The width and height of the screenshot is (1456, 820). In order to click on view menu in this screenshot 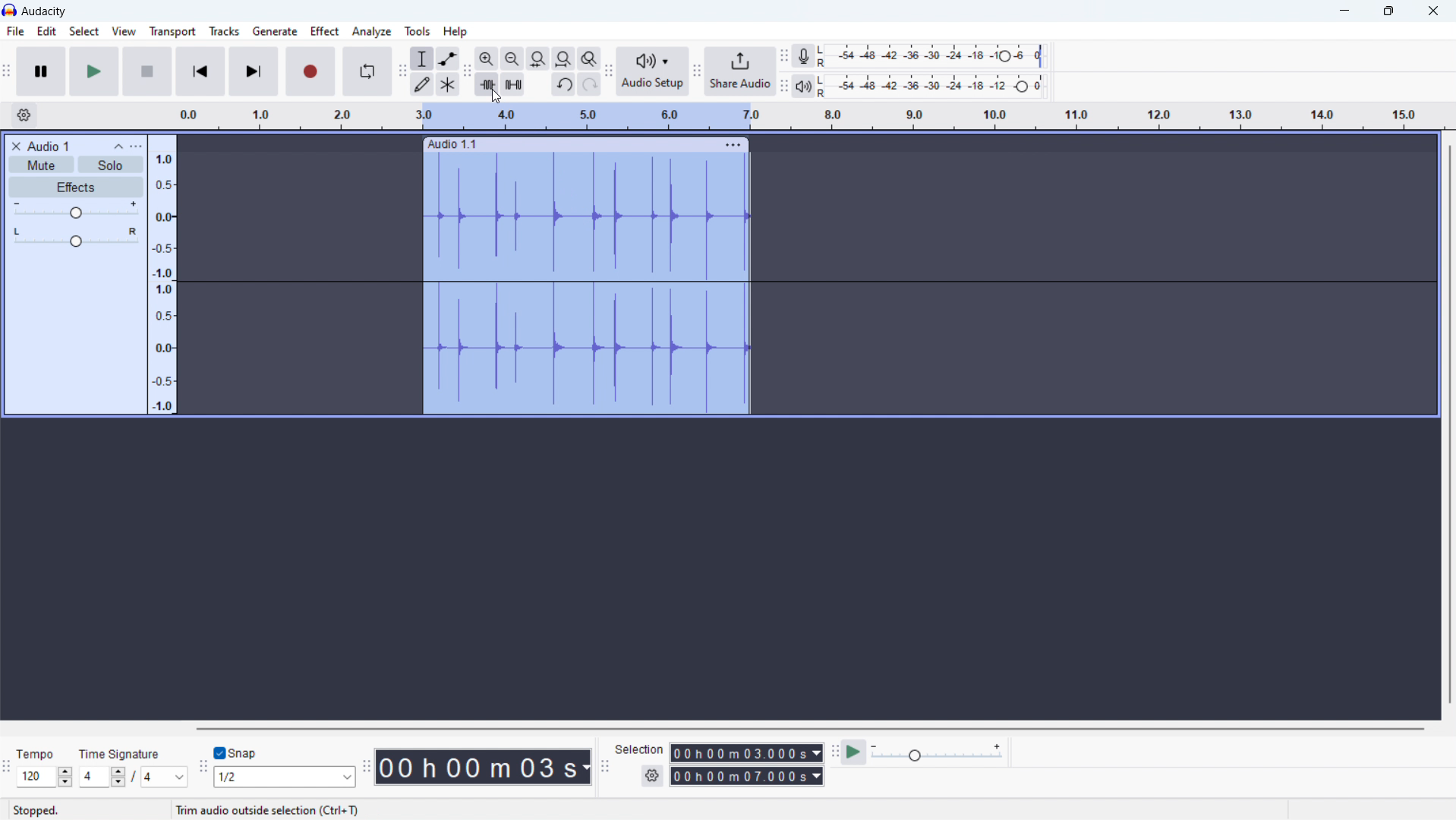, I will do `click(136, 147)`.